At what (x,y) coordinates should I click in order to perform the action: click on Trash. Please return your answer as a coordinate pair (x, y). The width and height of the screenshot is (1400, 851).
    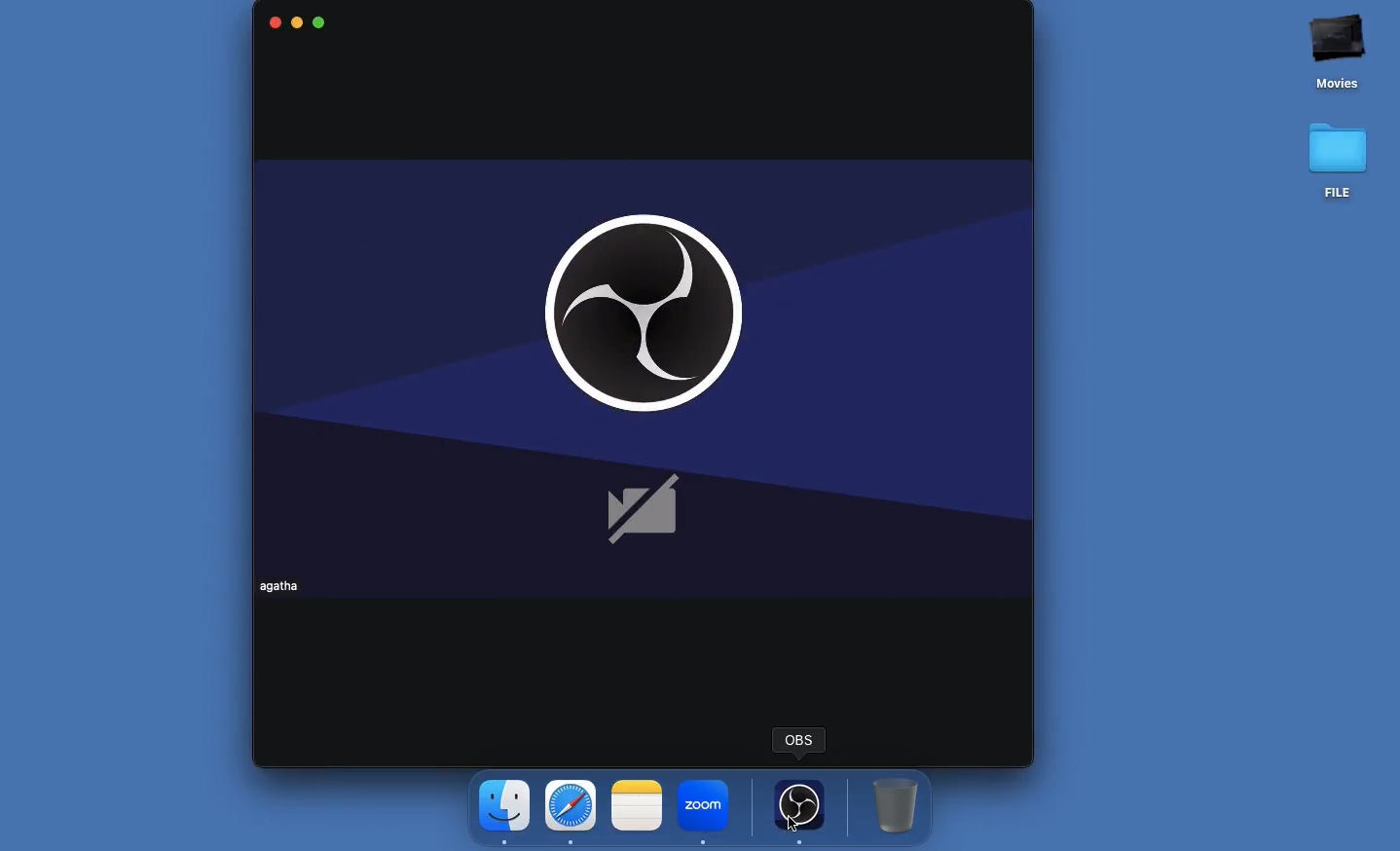
    Looking at the image, I should click on (895, 803).